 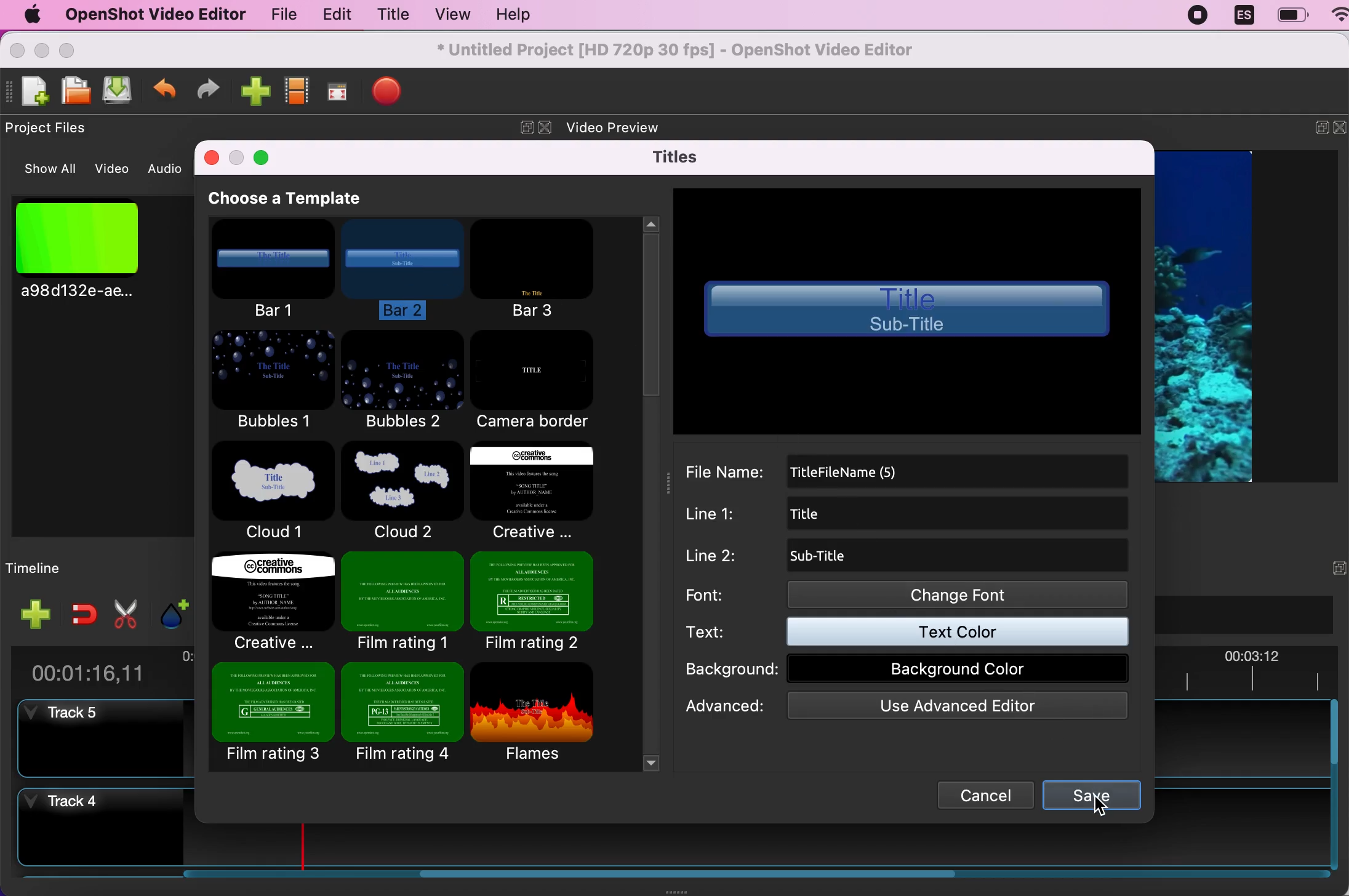 I want to click on import file, so click(x=255, y=90).